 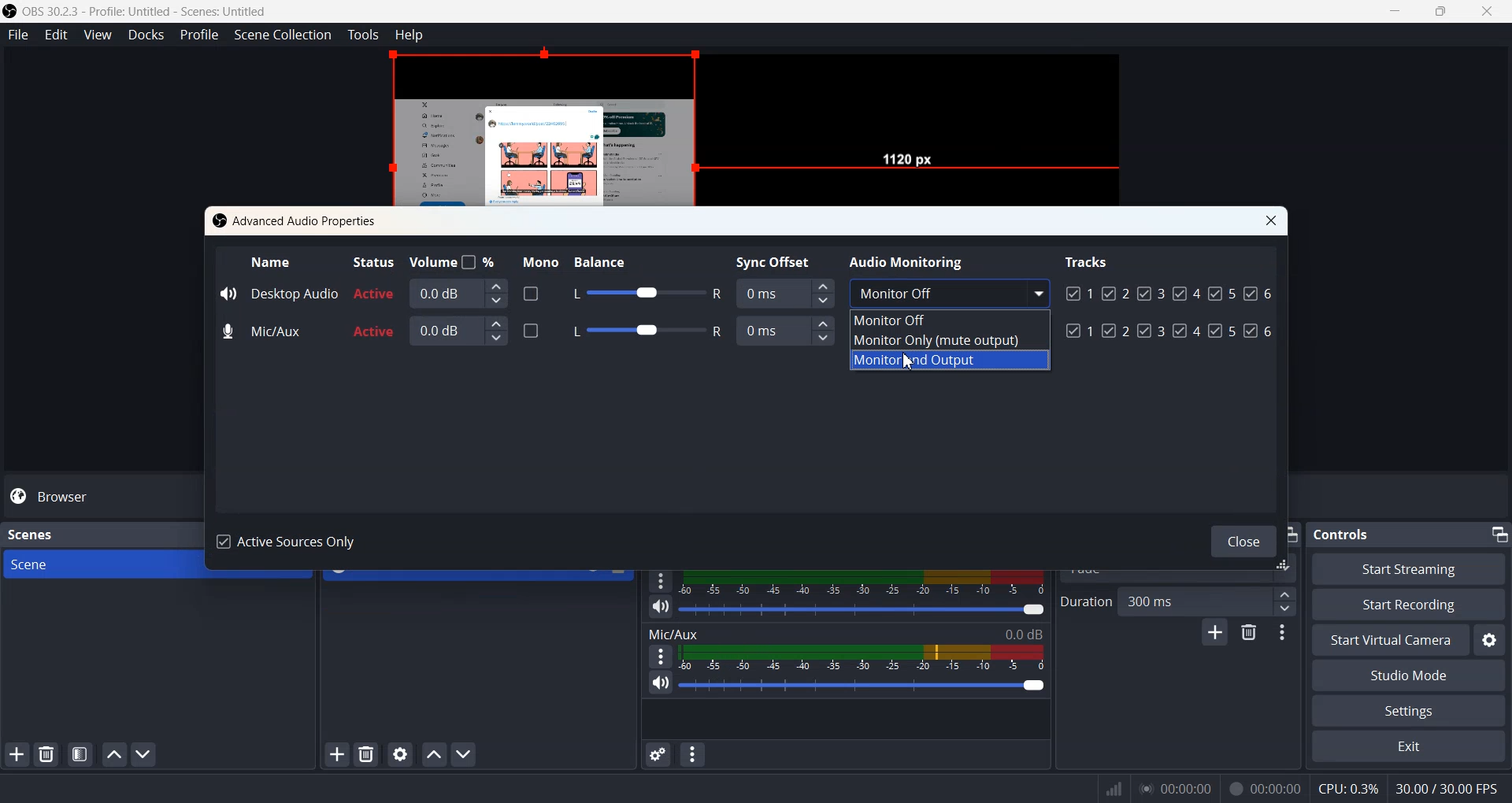 What do you see at coordinates (661, 683) in the screenshot?
I see `Mute / Unmute` at bounding box center [661, 683].